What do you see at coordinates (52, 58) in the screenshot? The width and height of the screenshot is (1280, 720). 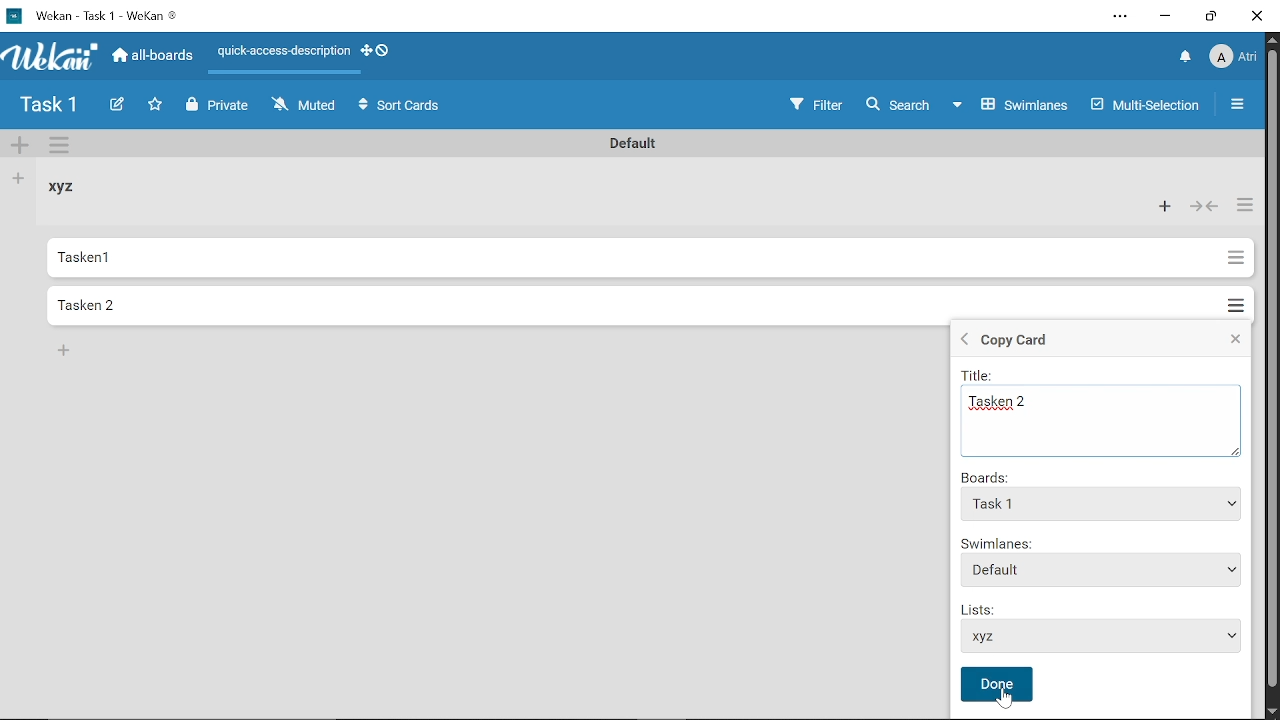 I see `Wekan logo` at bounding box center [52, 58].